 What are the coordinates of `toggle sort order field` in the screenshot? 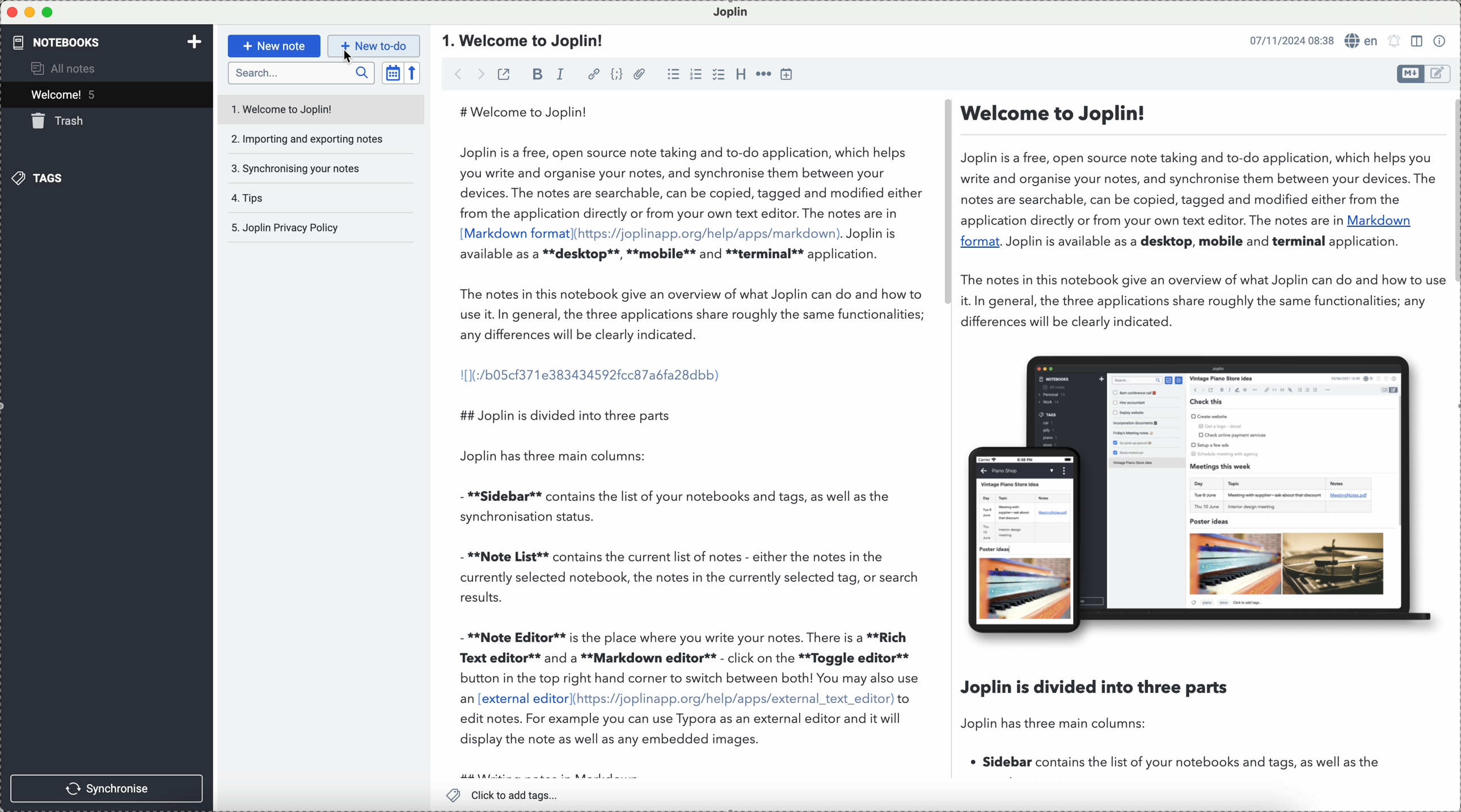 It's located at (393, 73).